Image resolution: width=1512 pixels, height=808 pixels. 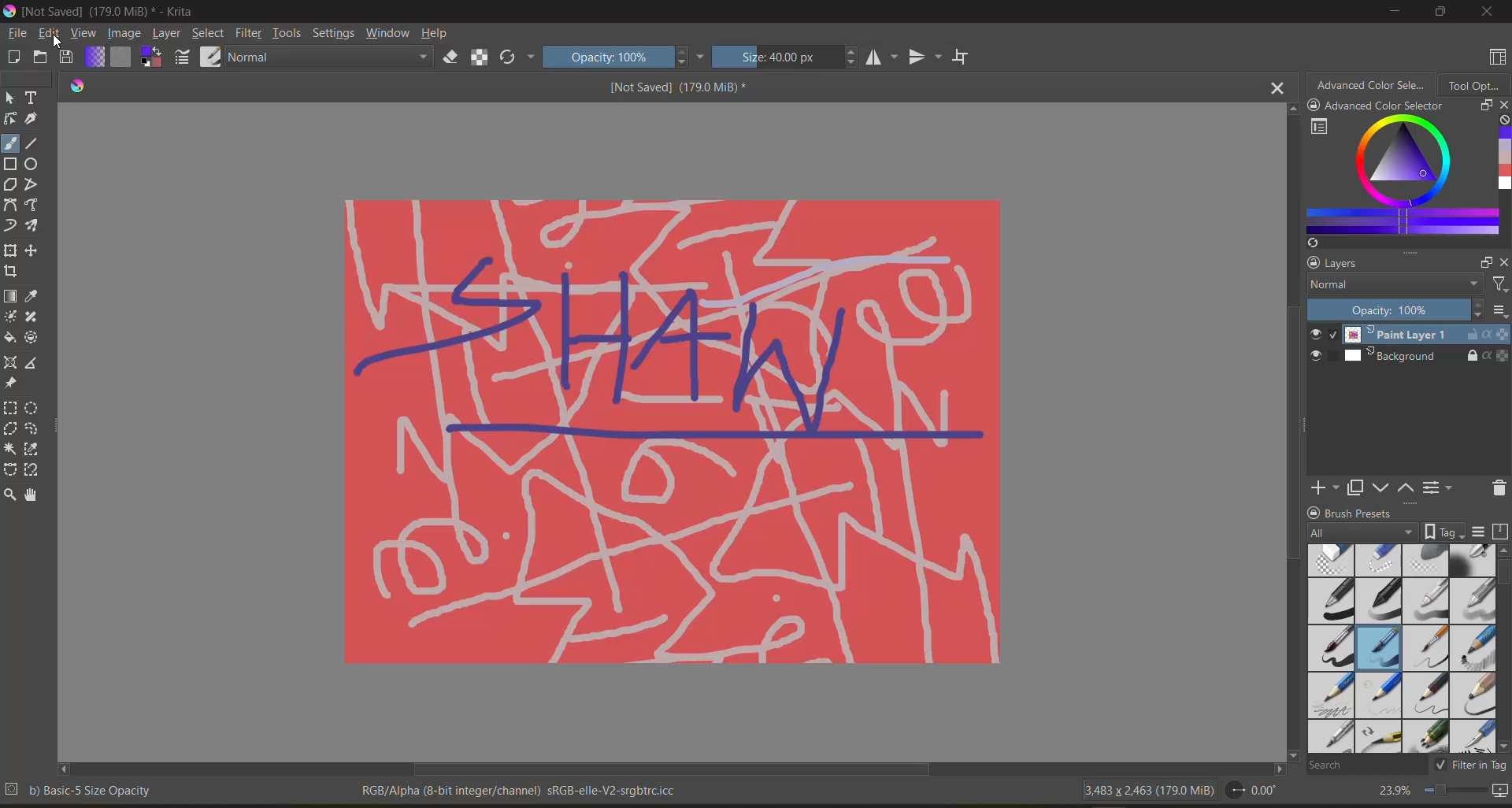 What do you see at coordinates (100, 10) in the screenshot?
I see `[Not Saved] (179.0 MiB) * - Krita` at bounding box center [100, 10].